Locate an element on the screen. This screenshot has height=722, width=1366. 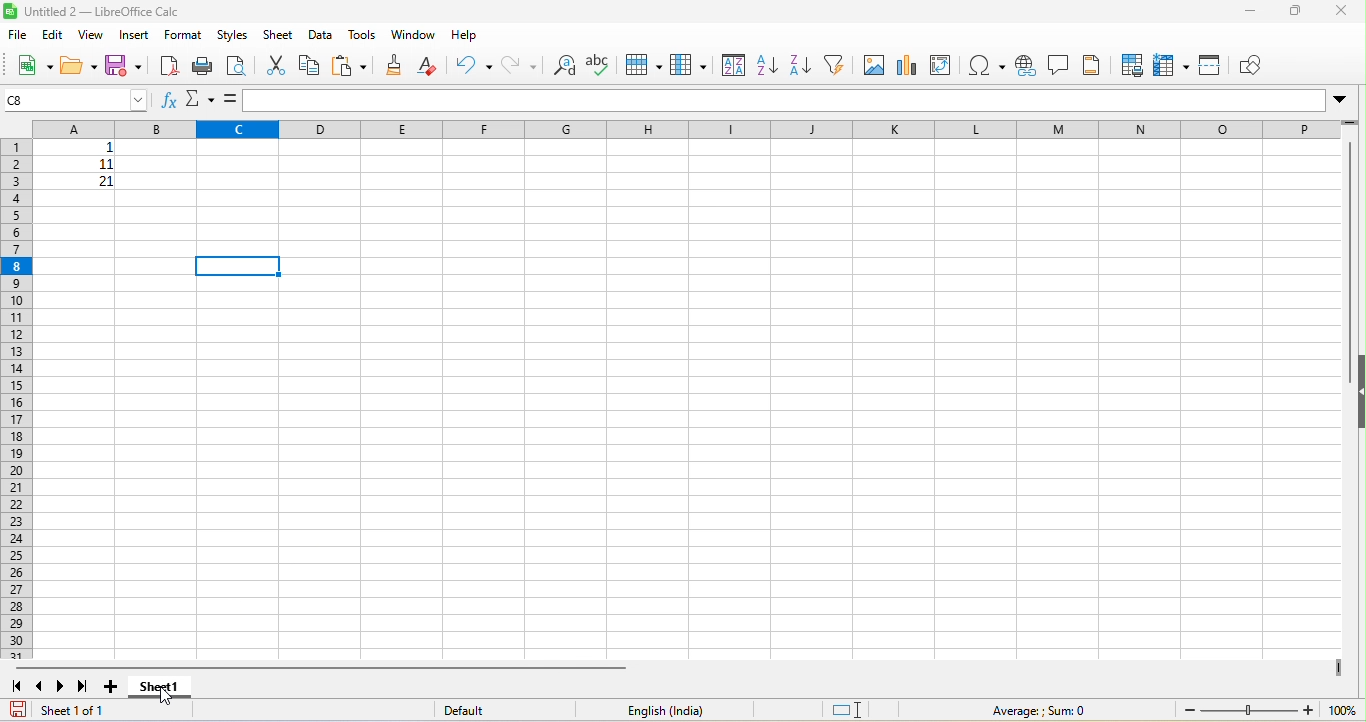
sort ascending is located at coordinates (766, 65).